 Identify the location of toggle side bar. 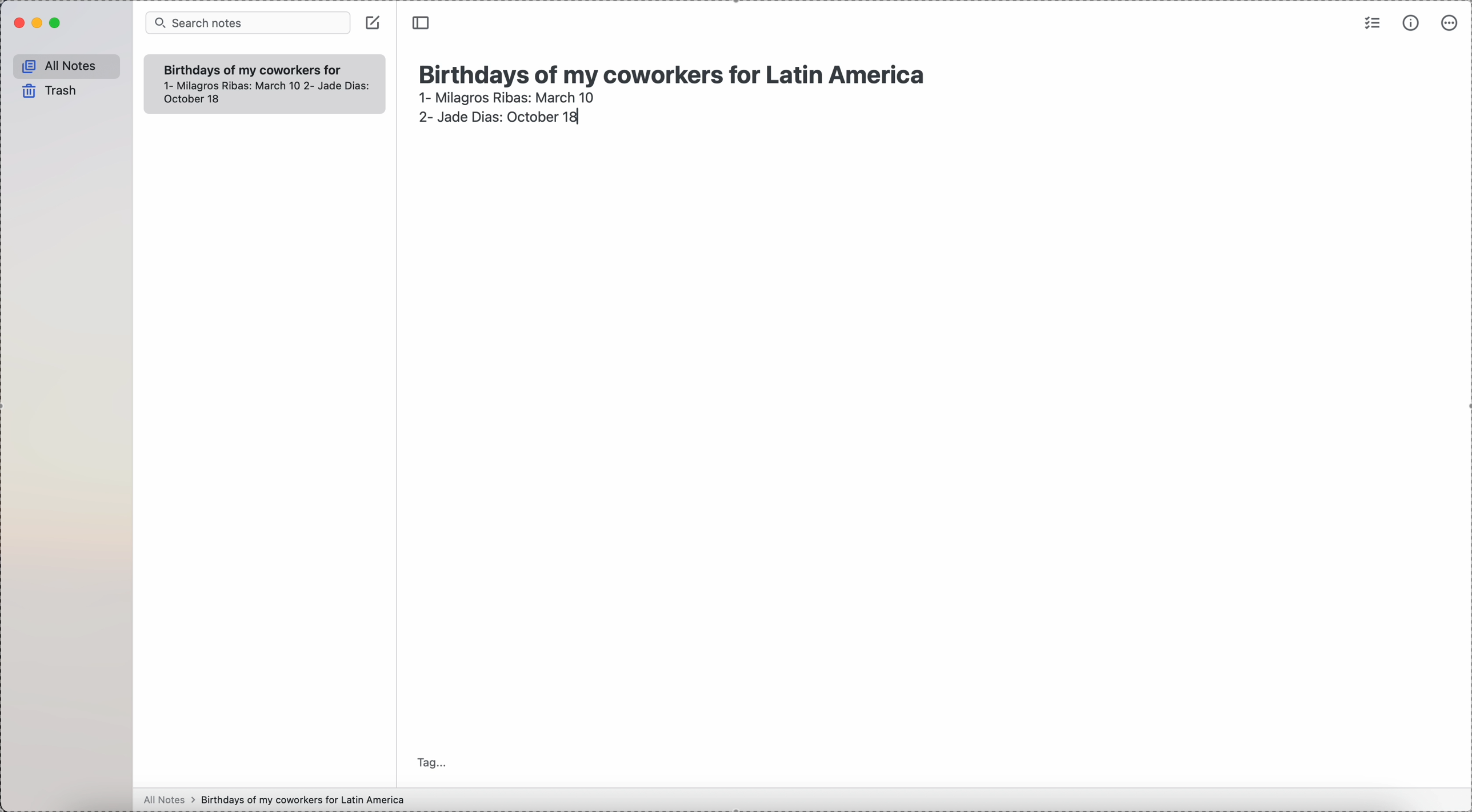
(422, 23).